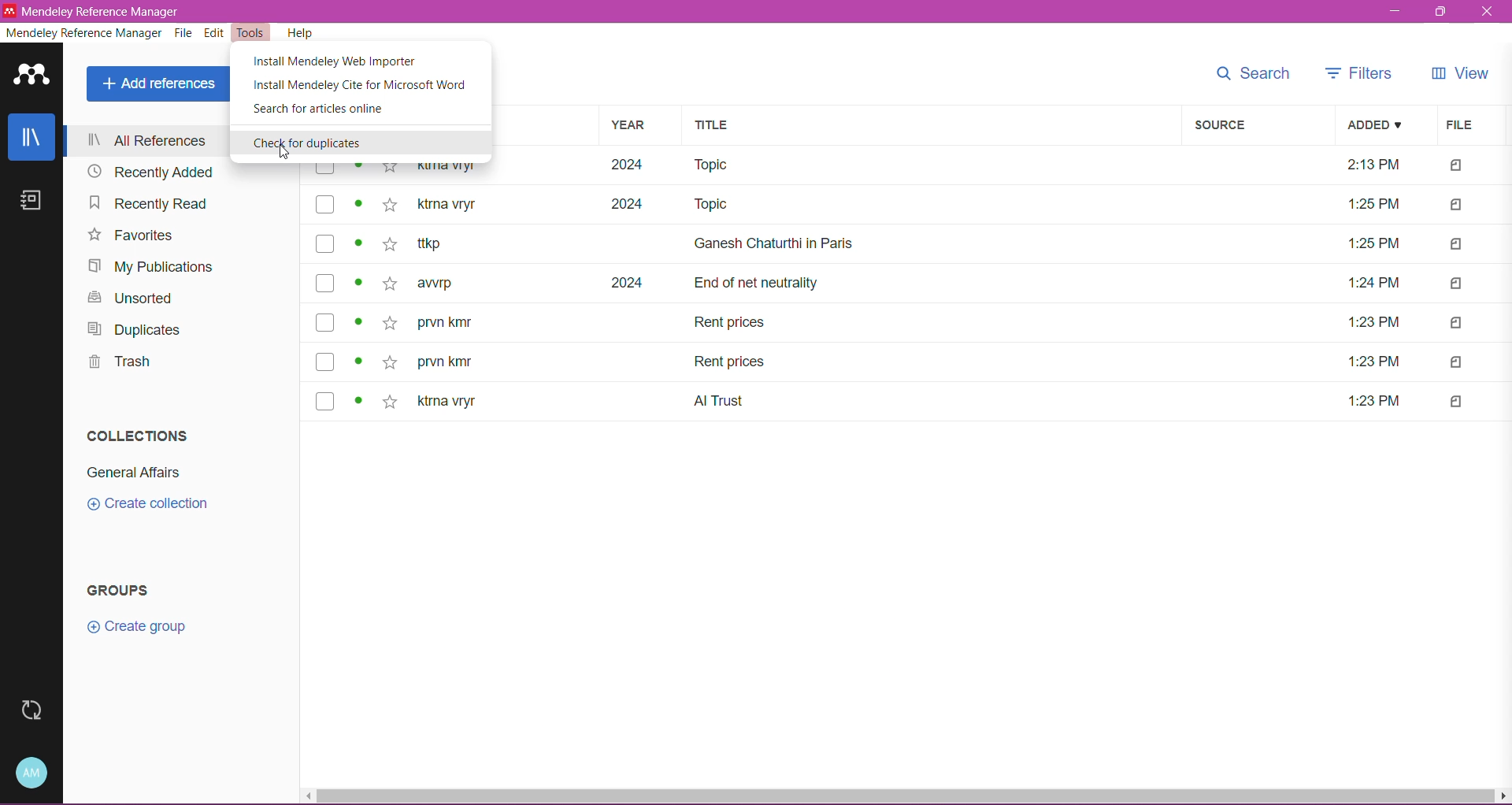 Image resolution: width=1512 pixels, height=805 pixels. I want to click on Filters, so click(1362, 75).